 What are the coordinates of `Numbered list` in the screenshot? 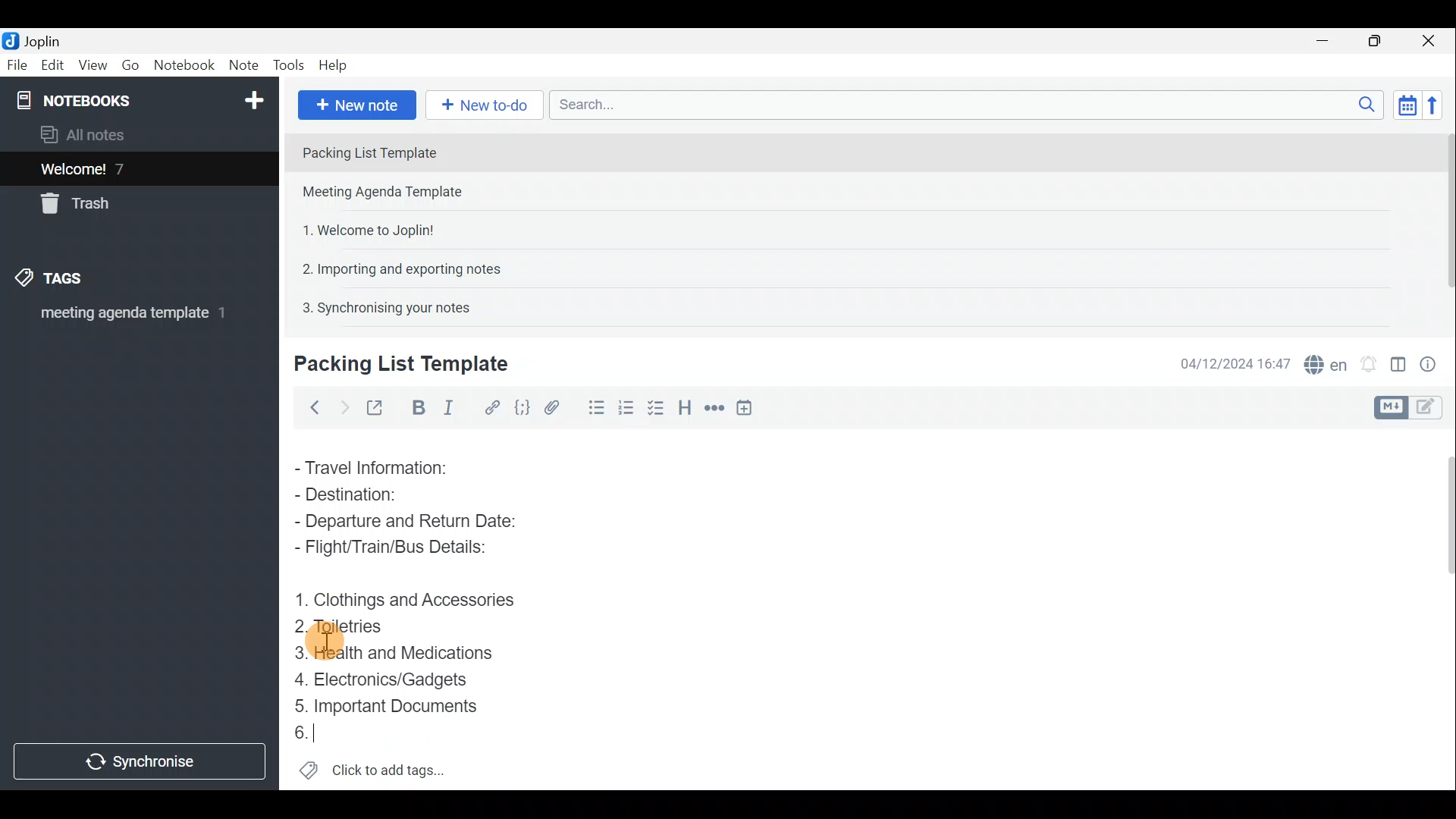 It's located at (657, 407).